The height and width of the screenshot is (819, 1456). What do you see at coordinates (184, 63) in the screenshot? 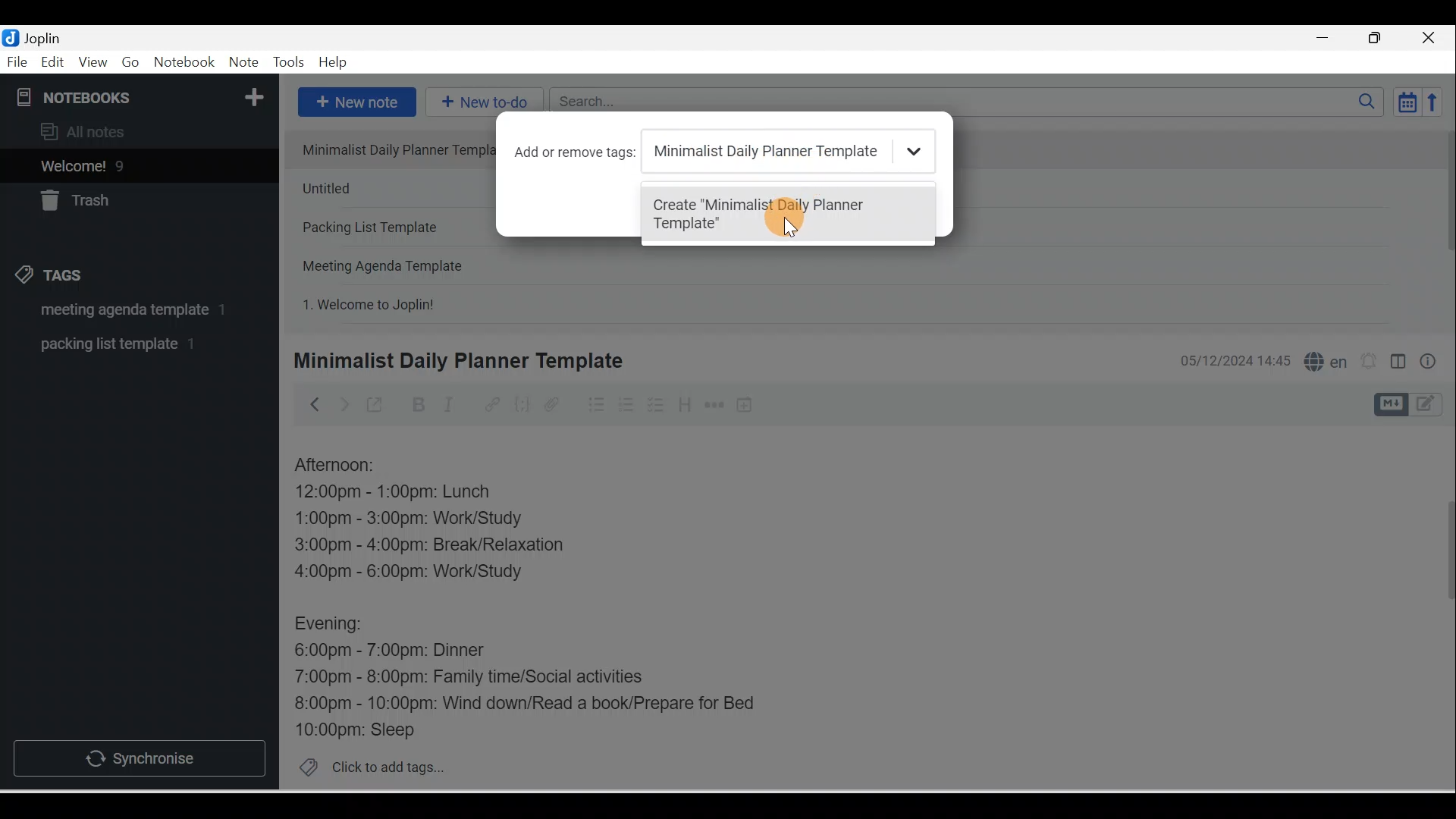
I see `Notebook` at bounding box center [184, 63].